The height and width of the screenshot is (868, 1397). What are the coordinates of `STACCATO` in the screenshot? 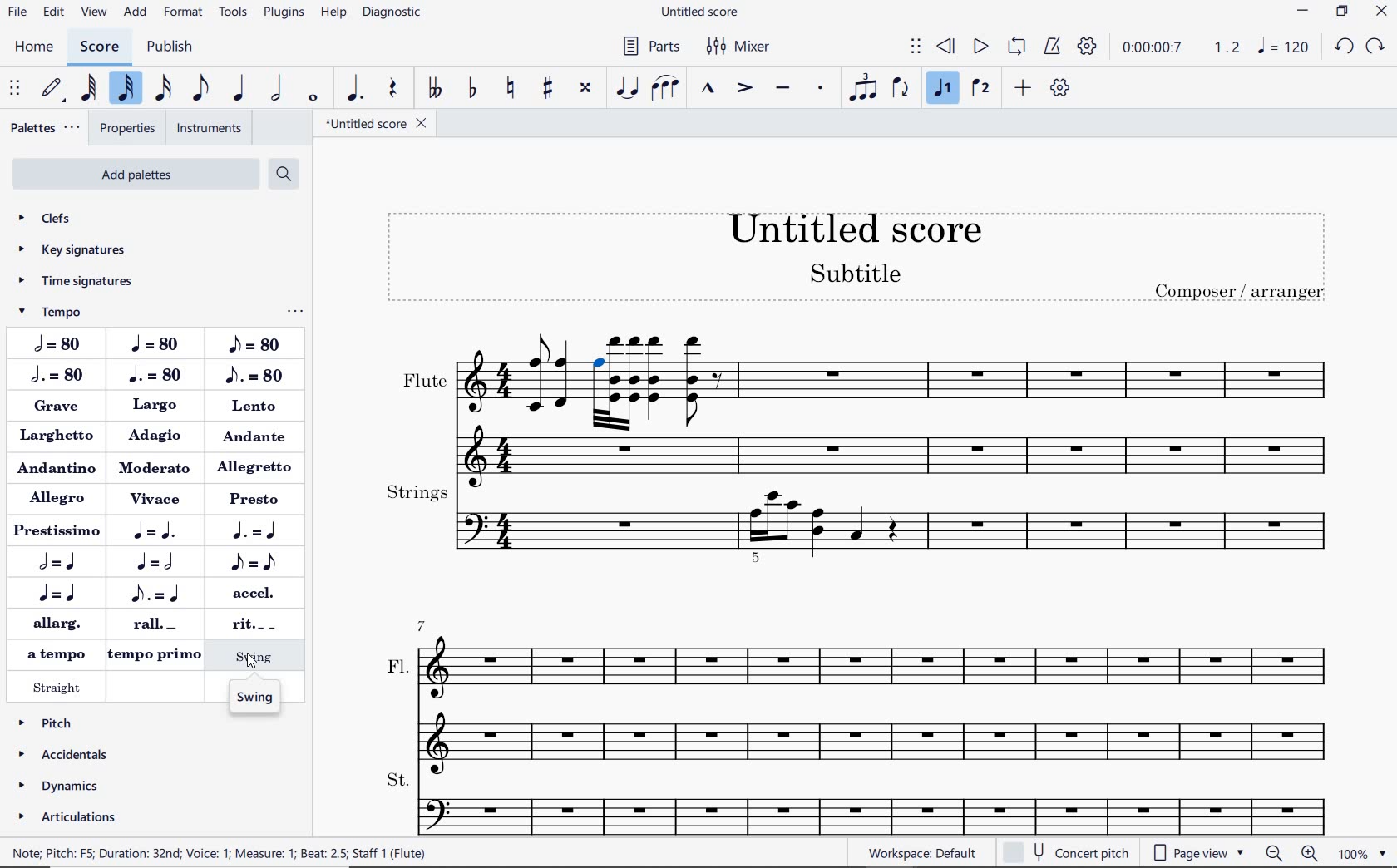 It's located at (821, 89).